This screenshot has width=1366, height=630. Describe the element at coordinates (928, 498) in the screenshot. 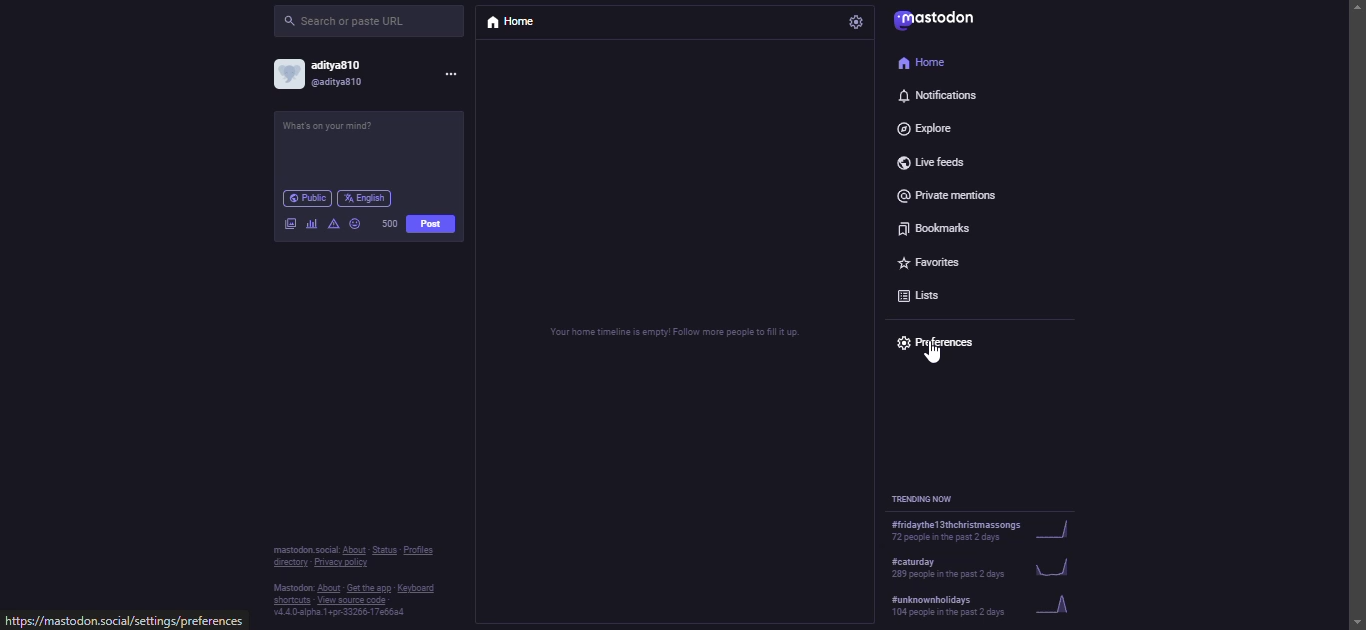

I see `trending` at that location.